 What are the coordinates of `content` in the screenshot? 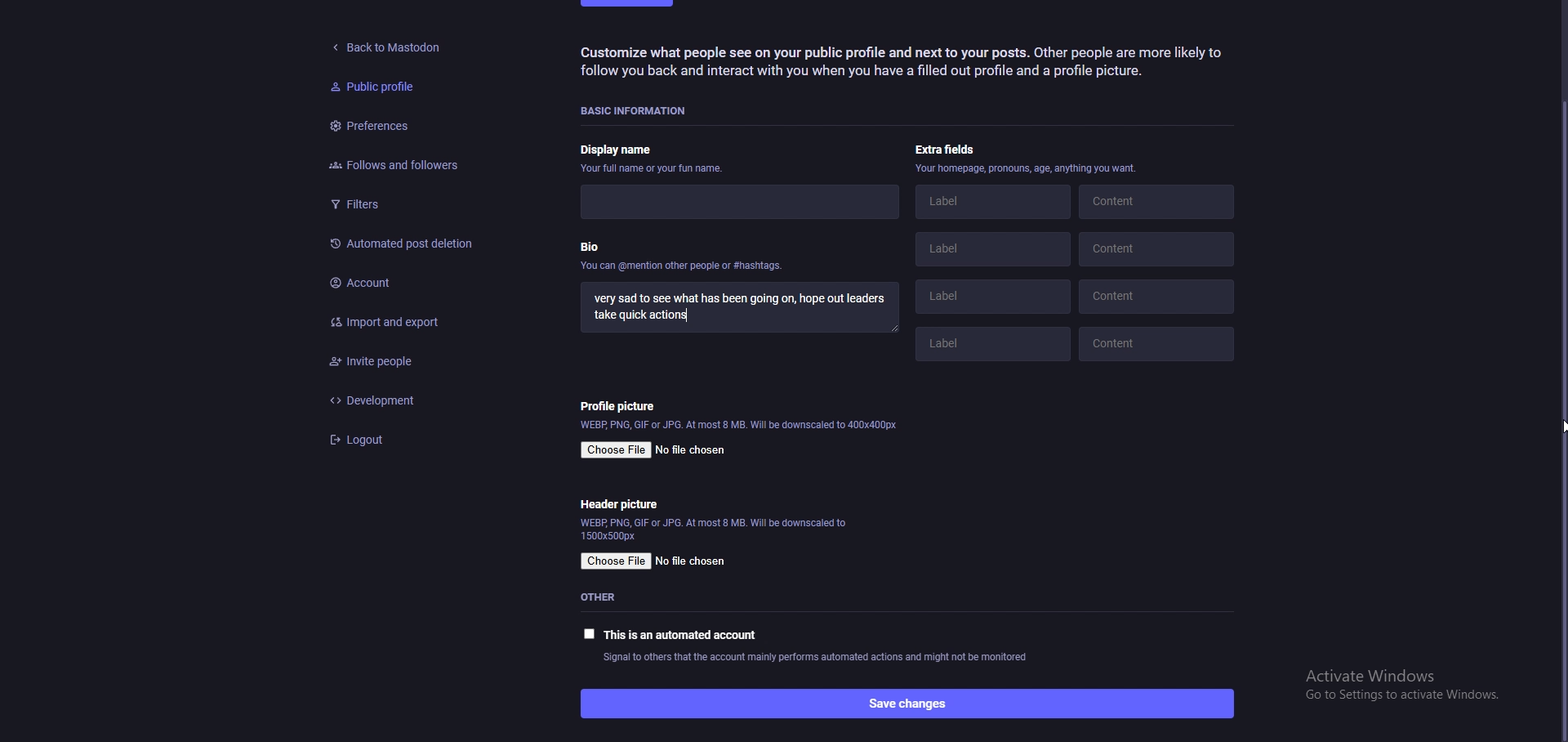 It's located at (1160, 251).